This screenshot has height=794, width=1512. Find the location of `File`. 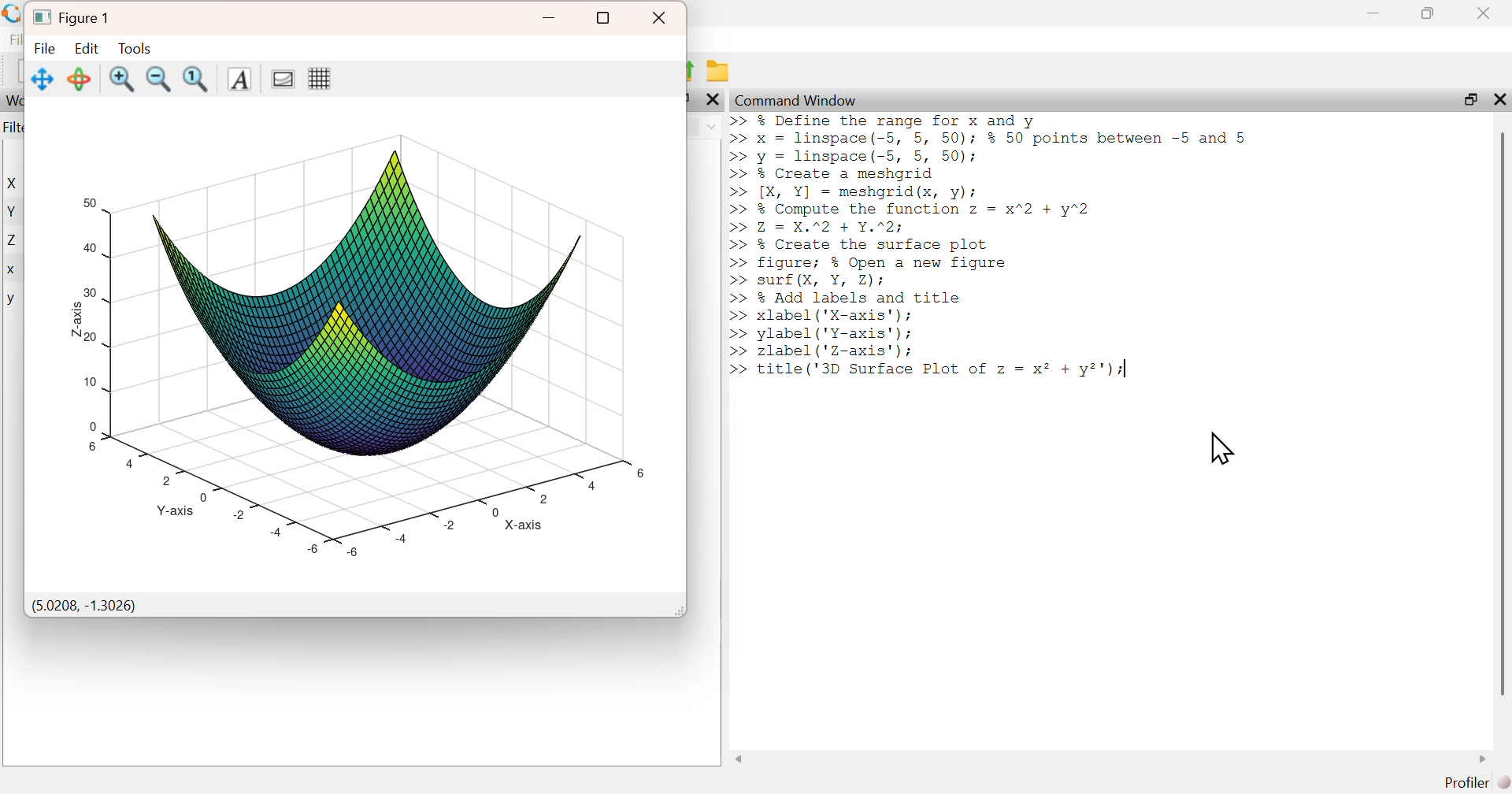

File is located at coordinates (46, 48).